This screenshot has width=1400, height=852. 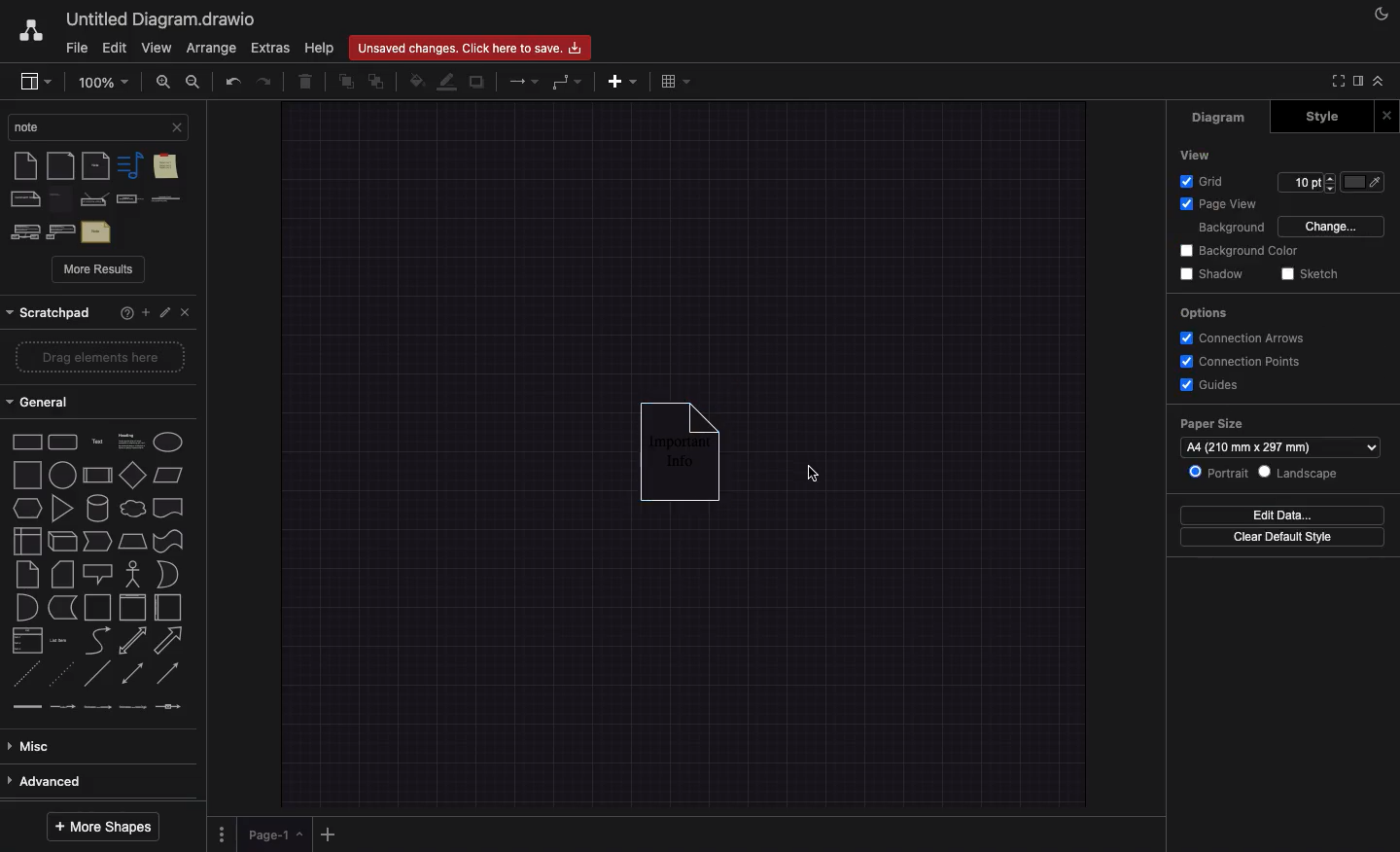 What do you see at coordinates (96, 231) in the screenshot?
I see `text` at bounding box center [96, 231].